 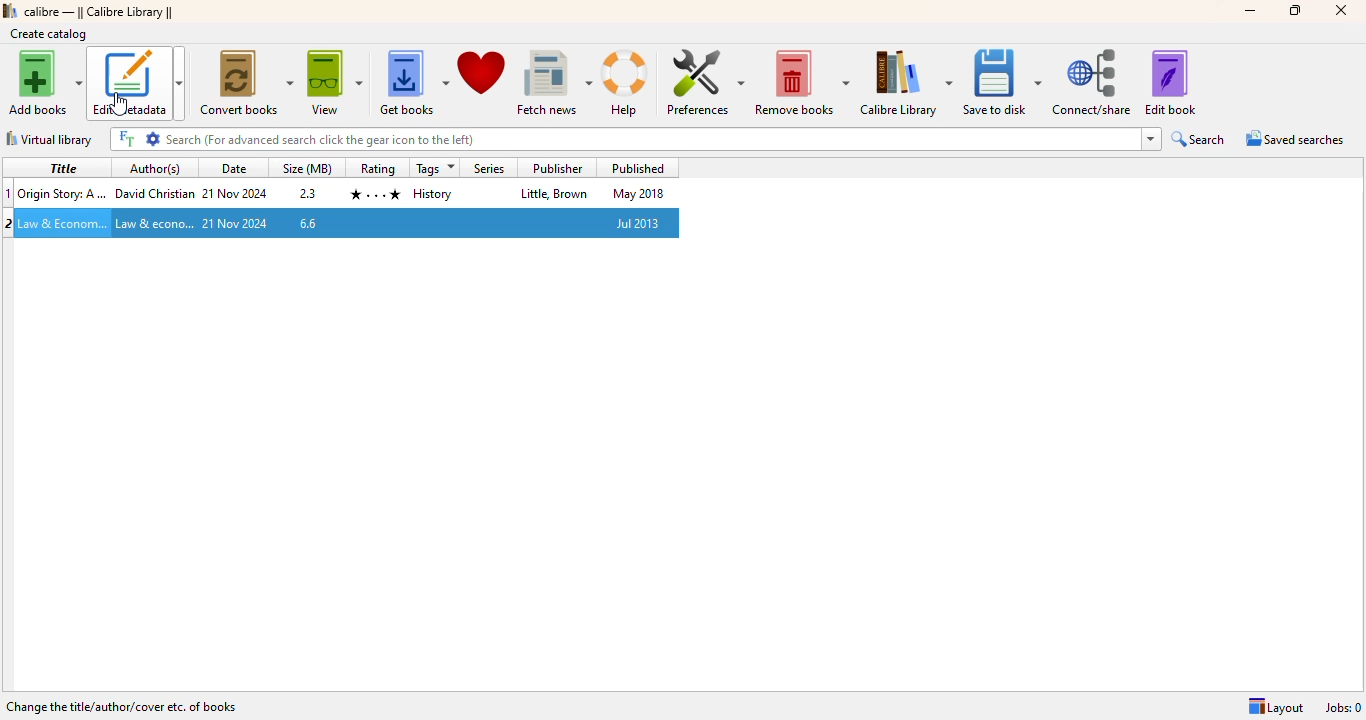 What do you see at coordinates (434, 193) in the screenshot?
I see `tag` at bounding box center [434, 193].